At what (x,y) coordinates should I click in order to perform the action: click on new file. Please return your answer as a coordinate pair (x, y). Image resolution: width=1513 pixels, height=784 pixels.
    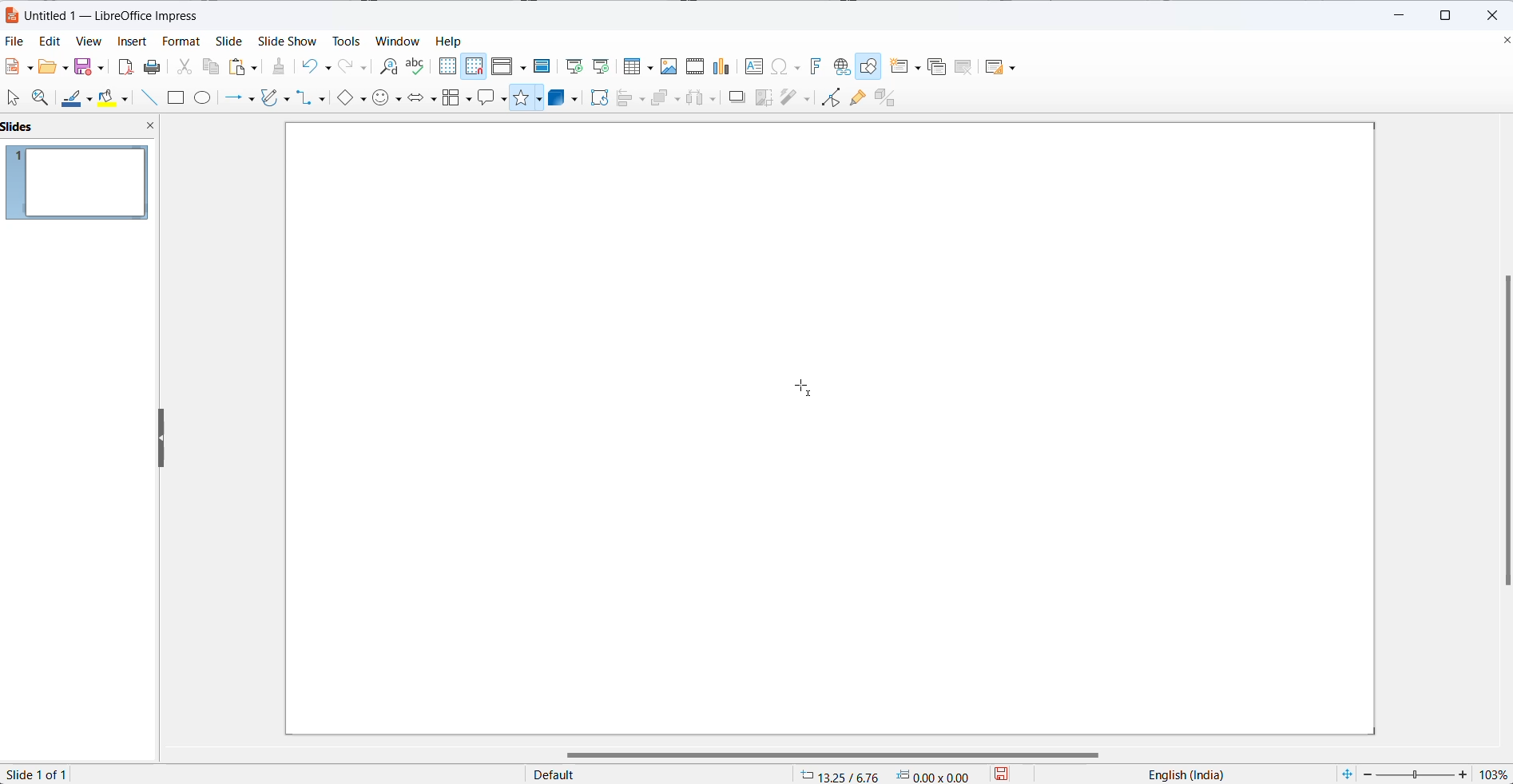
    Looking at the image, I should click on (22, 66).